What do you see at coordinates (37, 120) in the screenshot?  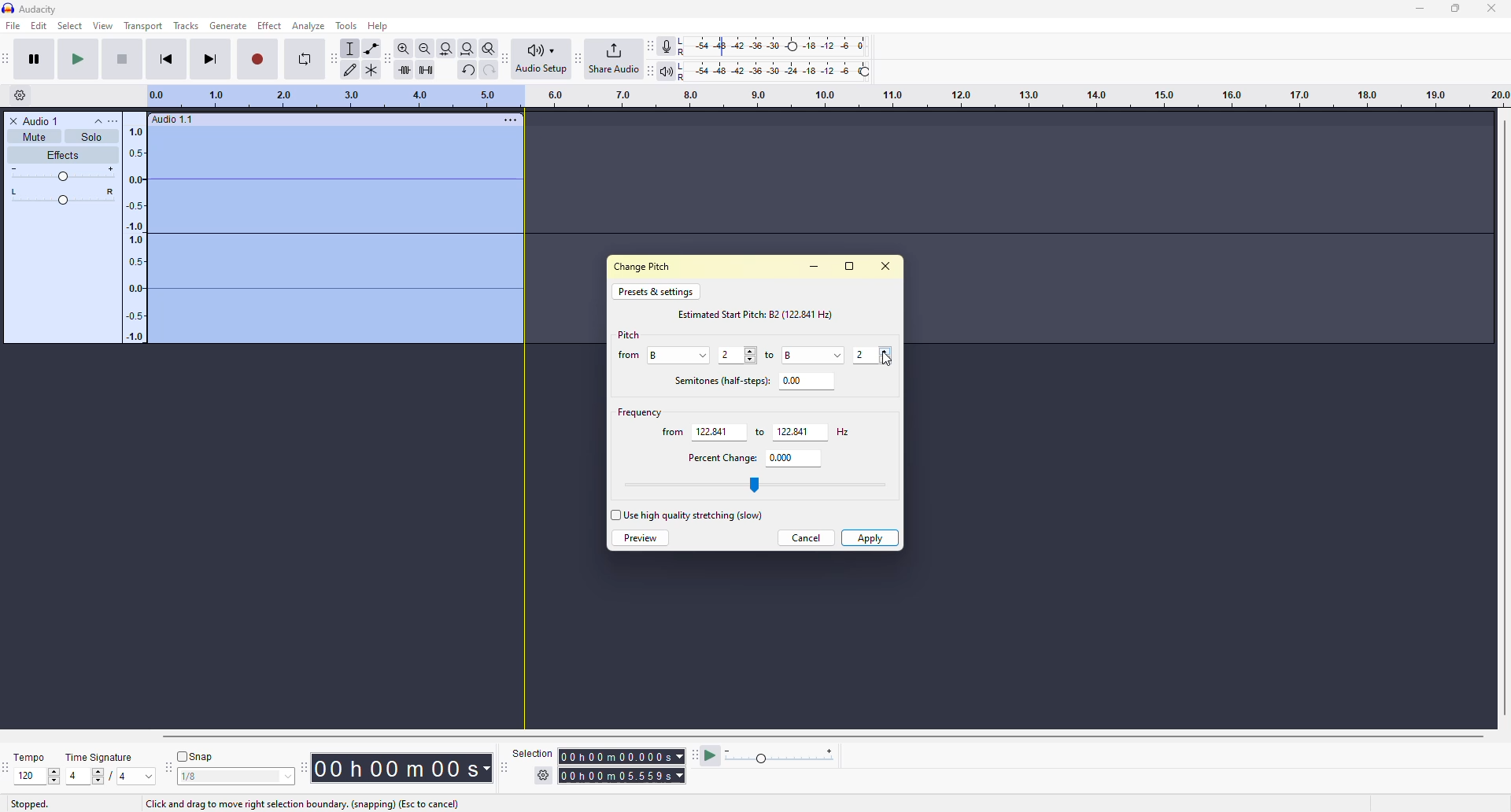 I see `audio 1` at bounding box center [37, 120].